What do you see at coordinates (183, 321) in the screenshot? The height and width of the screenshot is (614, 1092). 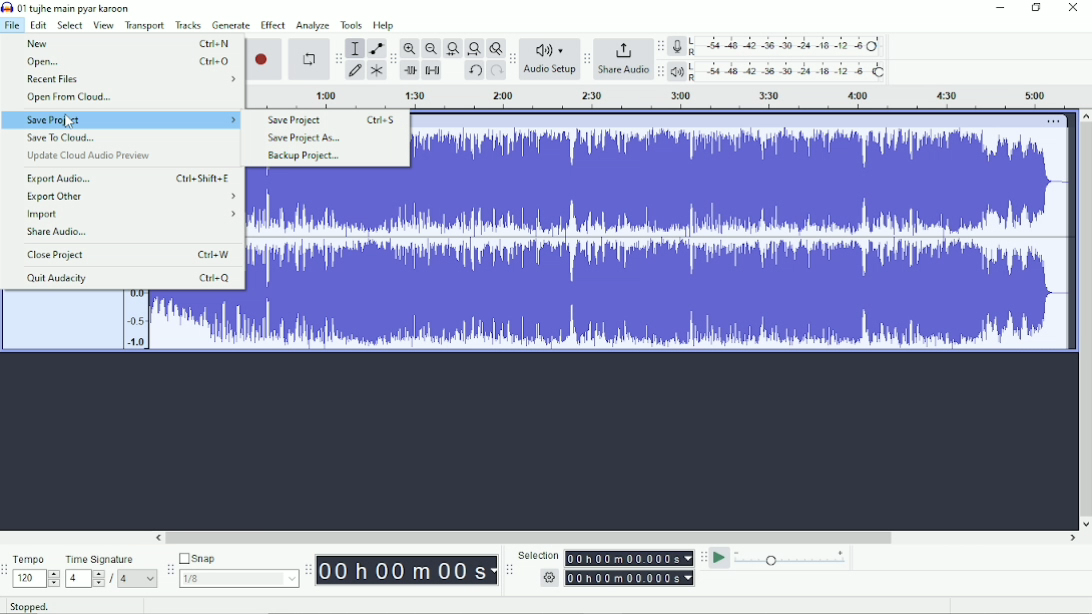 I see `Audio` at bounding box center [183, 321].